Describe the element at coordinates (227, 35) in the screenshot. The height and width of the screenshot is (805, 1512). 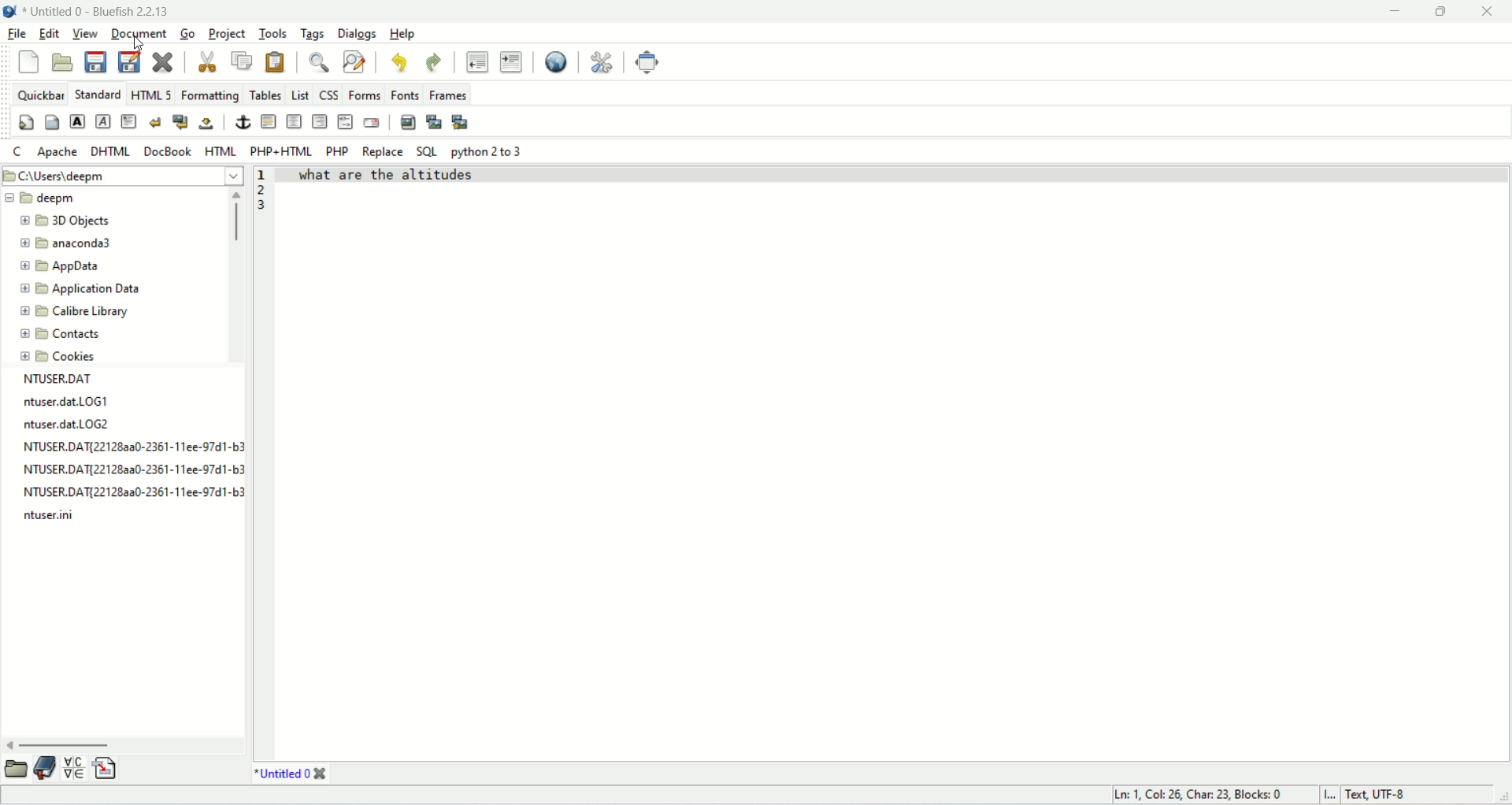
I see `project` at that location.